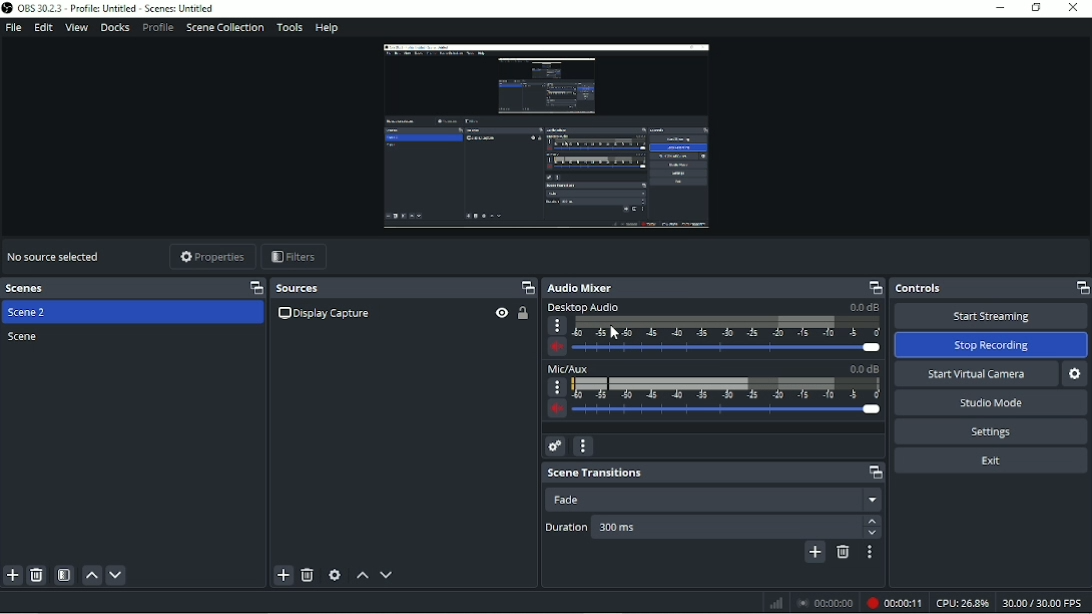 This screenshot has height=614, width=1092. Describe the element at coordinates (308, 575) in the screenshot. I see `Remove selected source(s)` at that location.